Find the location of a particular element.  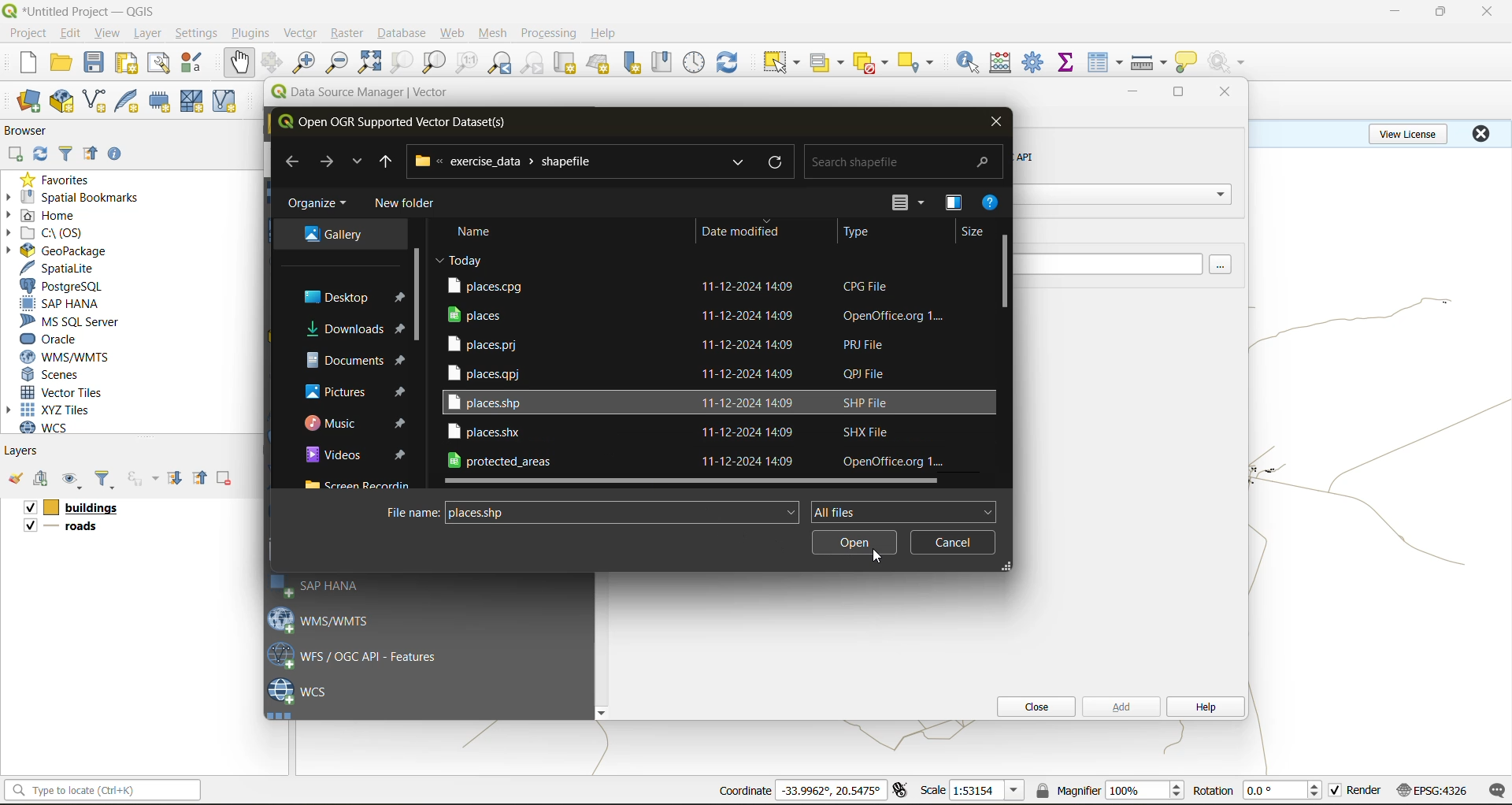

manage map is located at coordinates (74, 480).